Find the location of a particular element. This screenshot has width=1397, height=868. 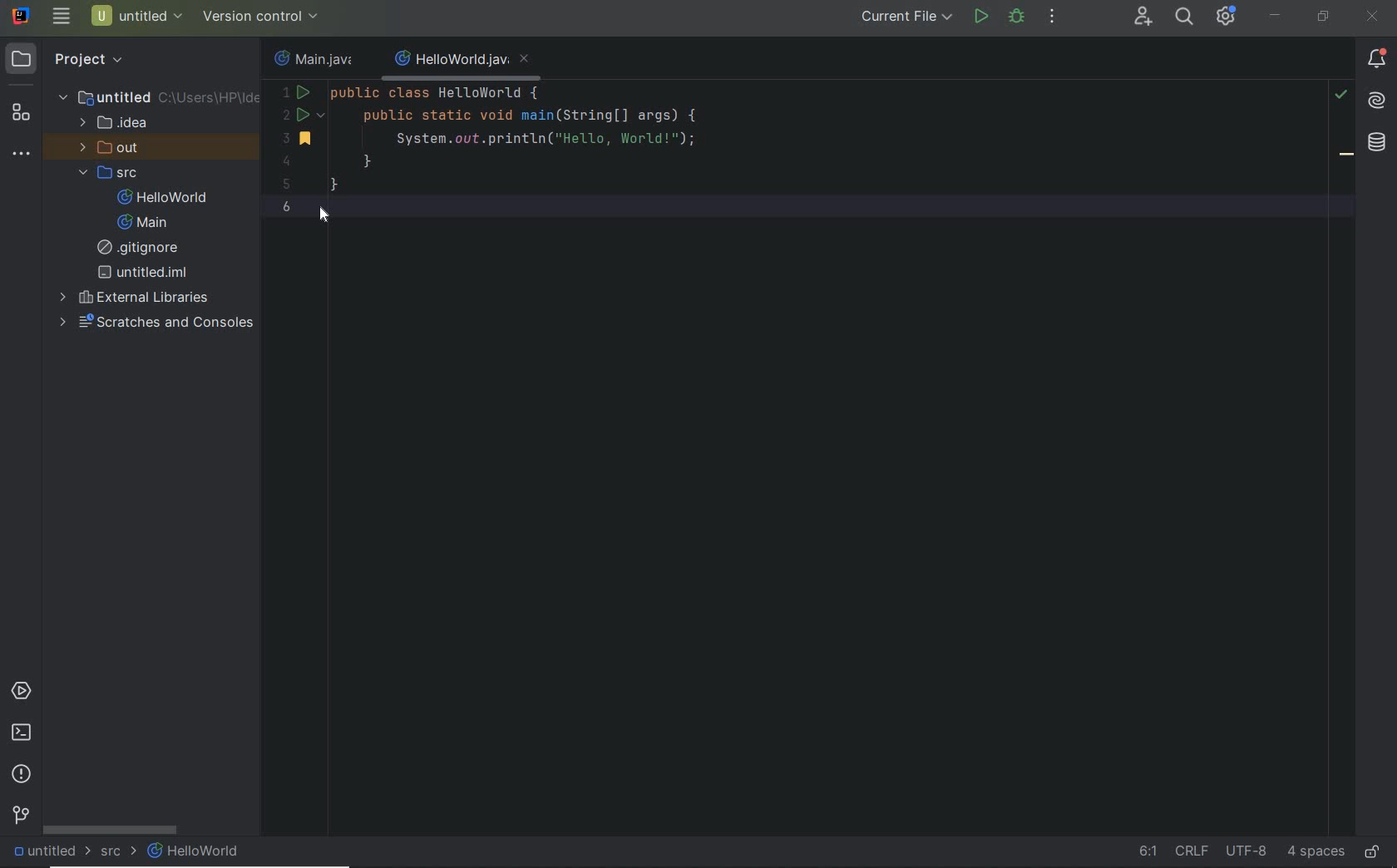

cursor is located at coordinates (322, 218).